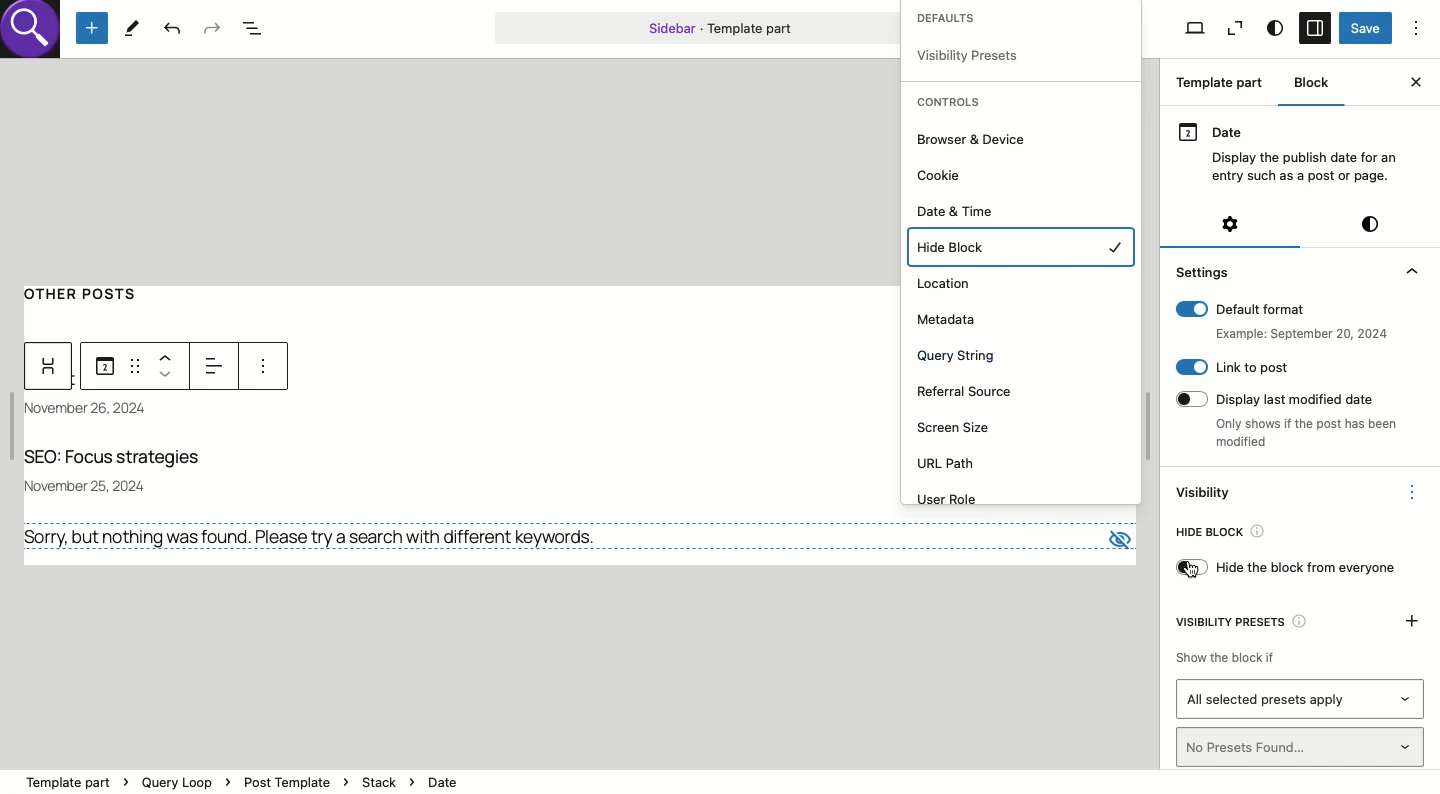  Describe the element at coordinates (1410, 271) in the screenshot. I see `collapse` at that location.